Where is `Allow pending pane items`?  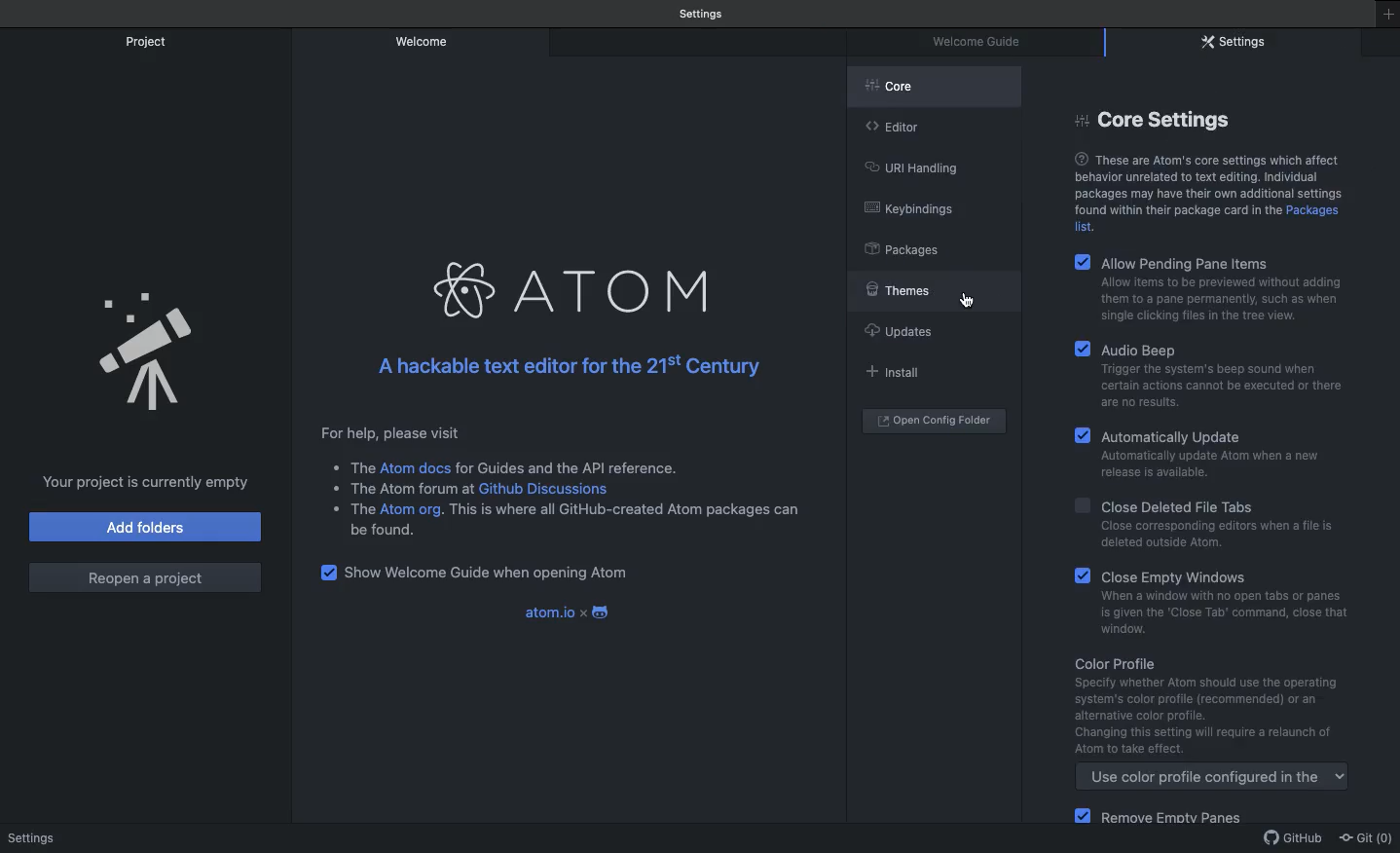
Allow pending pane items is located at coordinates (1195, 261).